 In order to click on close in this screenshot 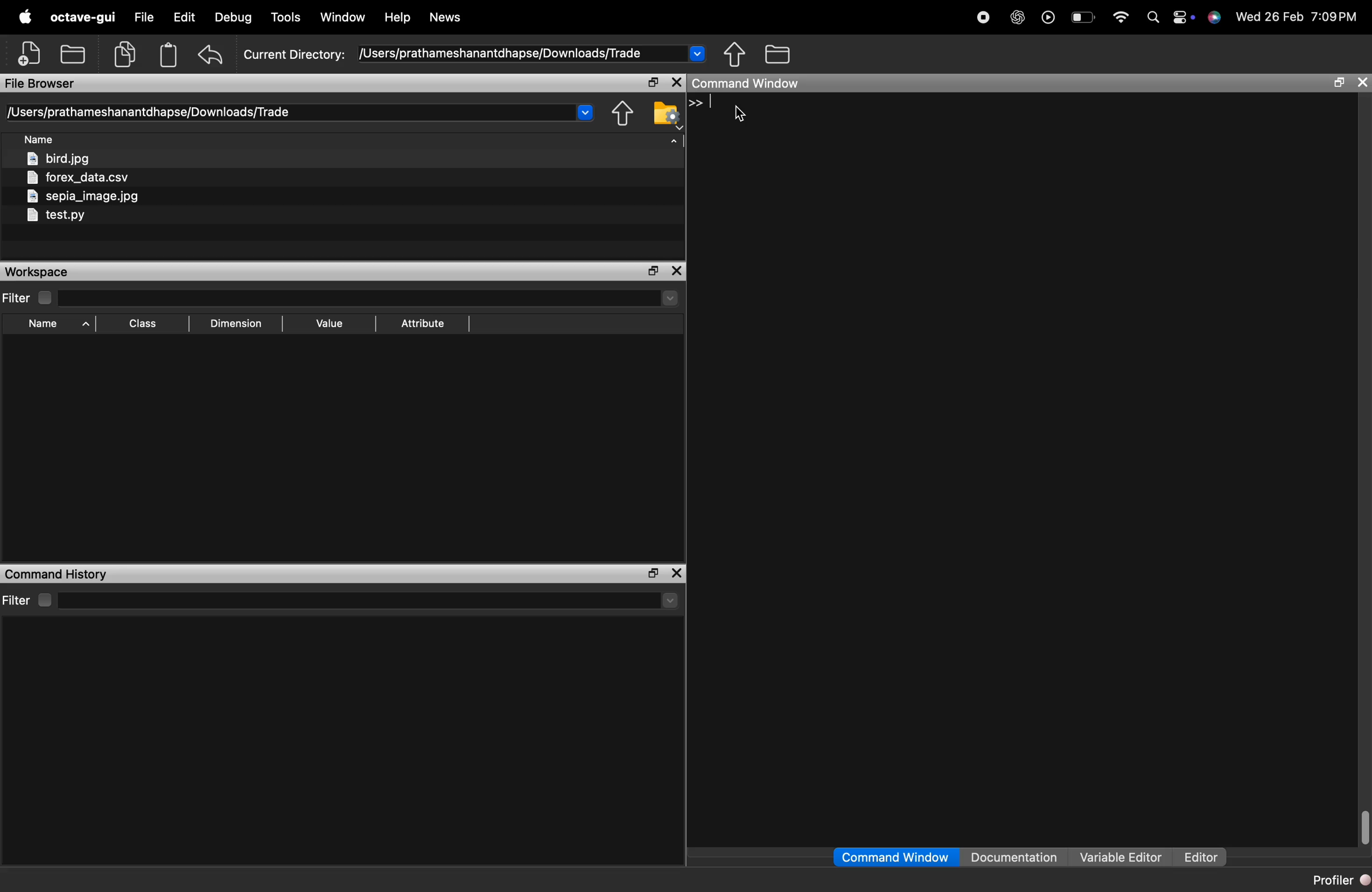, I will do `click(678, 573)`.